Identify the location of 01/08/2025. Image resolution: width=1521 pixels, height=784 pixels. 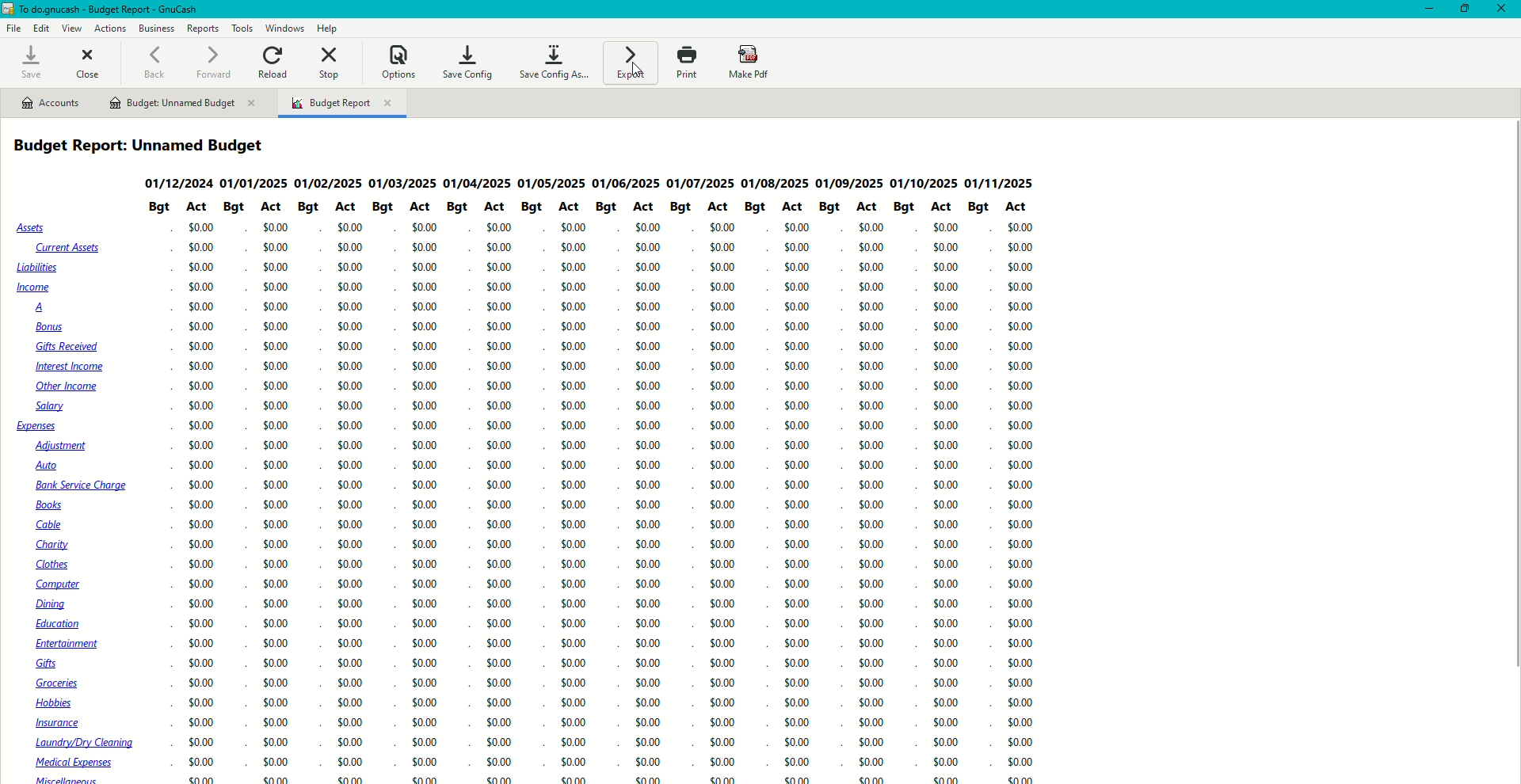
(772, 185).